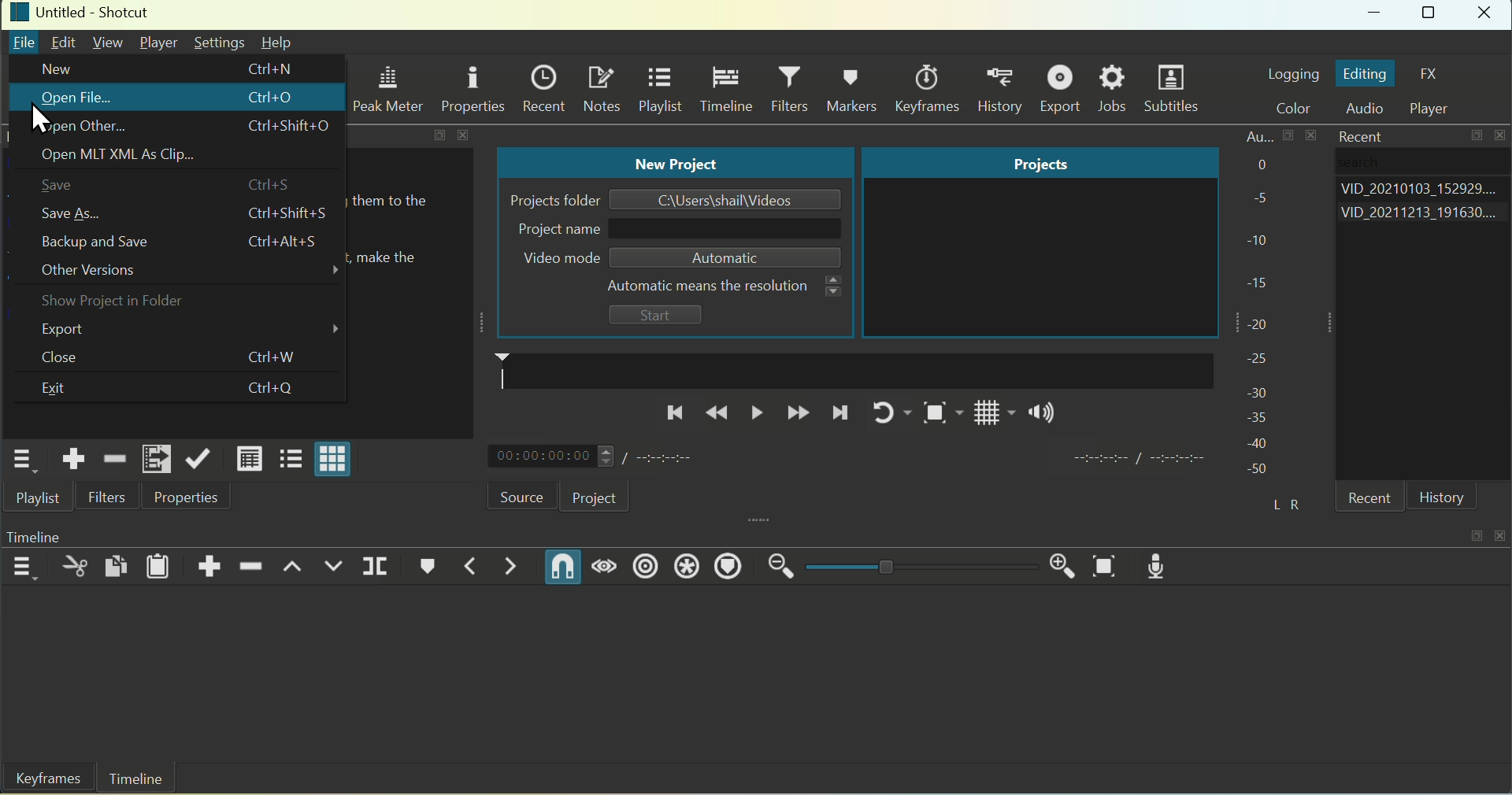  I want to click on New, so click(56, 68).